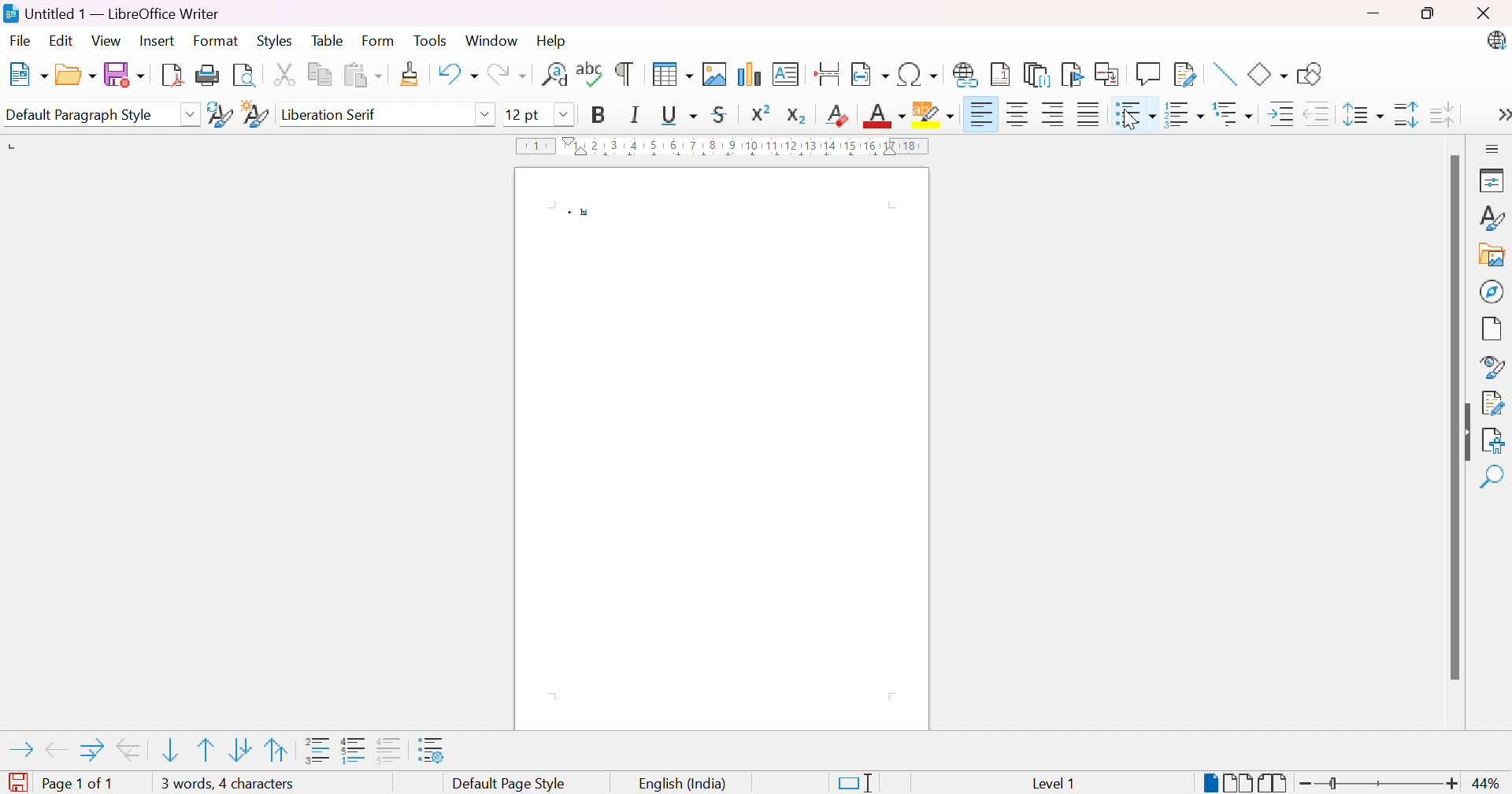 This screenshot has height=794, width=1512. What do you see at coordinates (1430, 13) in the screenshot?
I see `Restore down` at bounding box center [1430, 13].